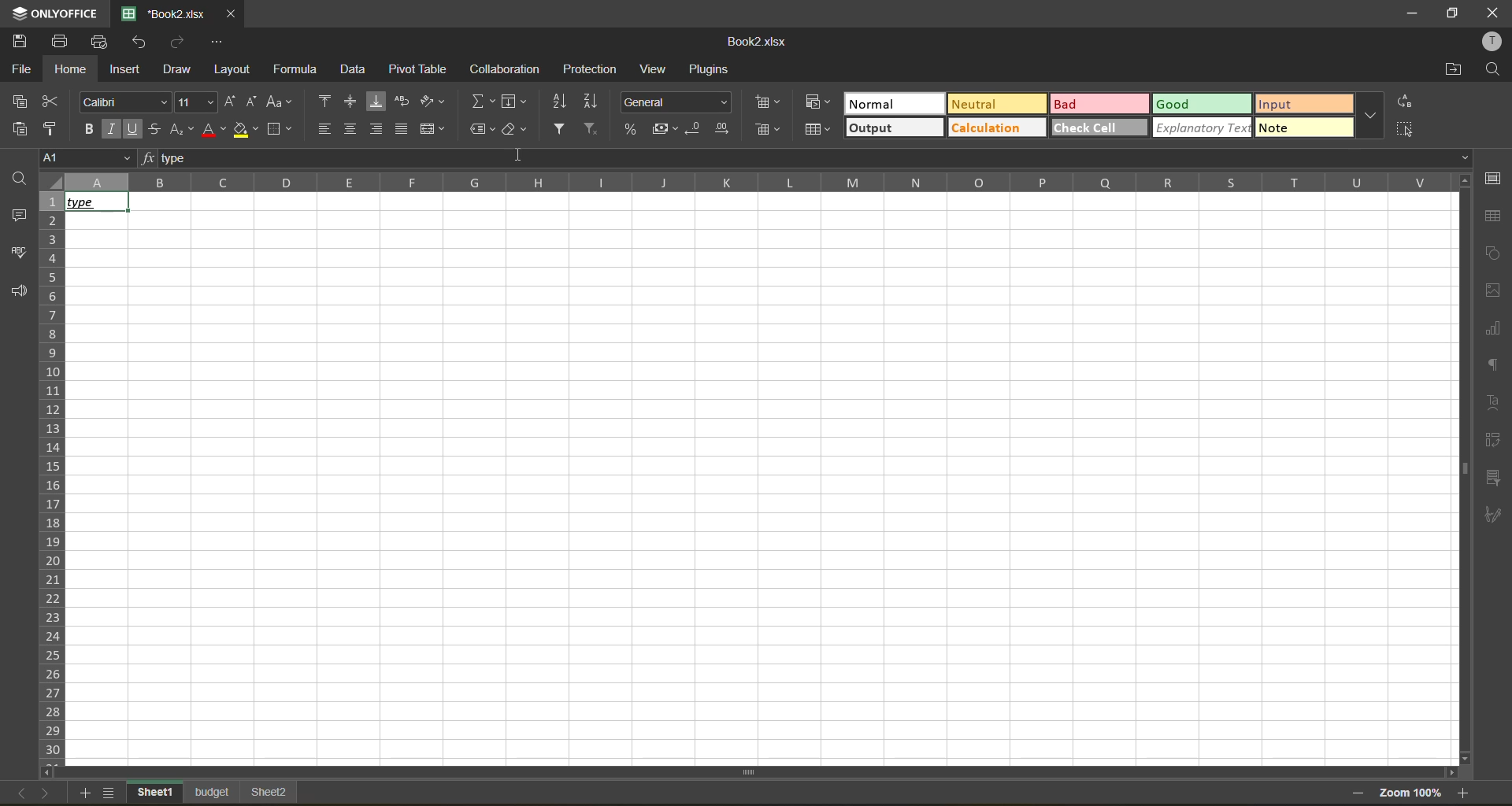 The image size is (1512, 806). I want to click on zoom factor, so click(1412, 792).